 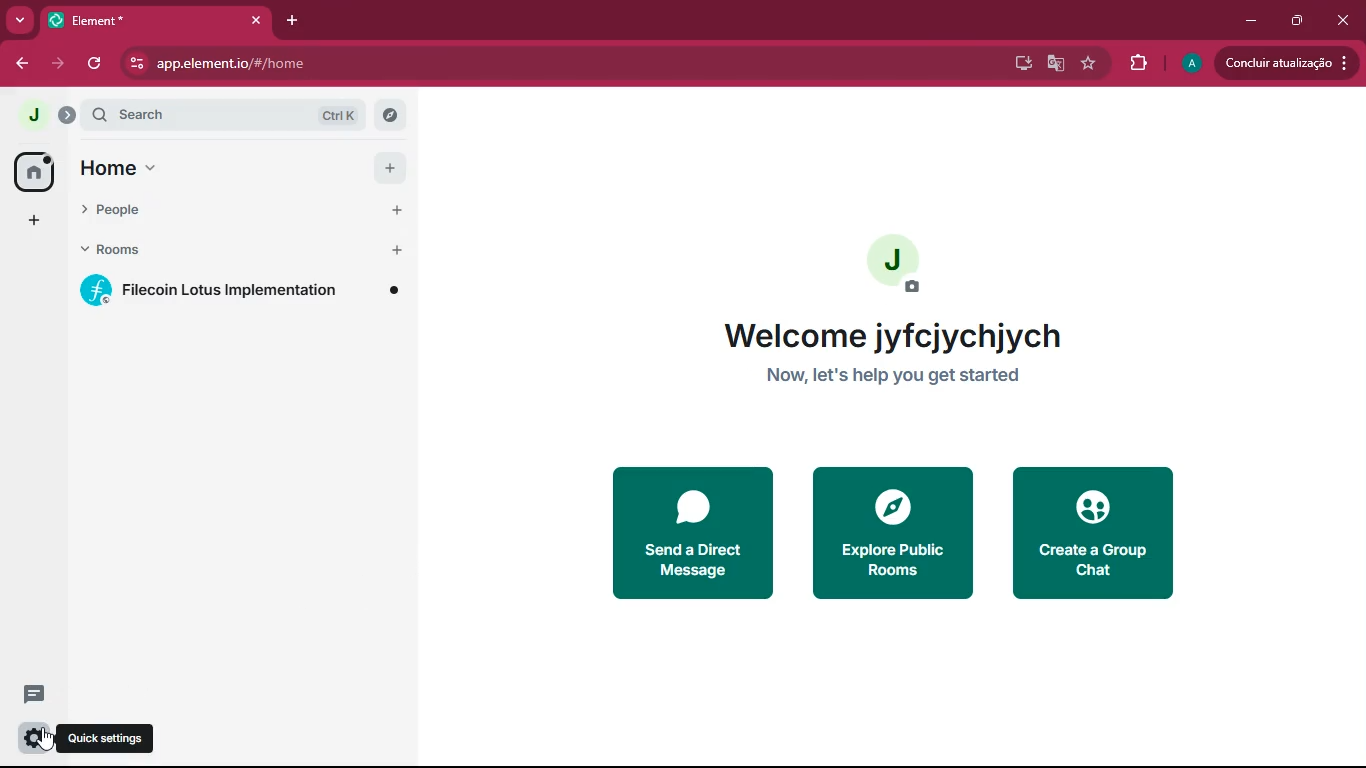 What do you see at coordinates (1189, 61) in the screenshot?
I see `A` at bounding box center [1189, 61].